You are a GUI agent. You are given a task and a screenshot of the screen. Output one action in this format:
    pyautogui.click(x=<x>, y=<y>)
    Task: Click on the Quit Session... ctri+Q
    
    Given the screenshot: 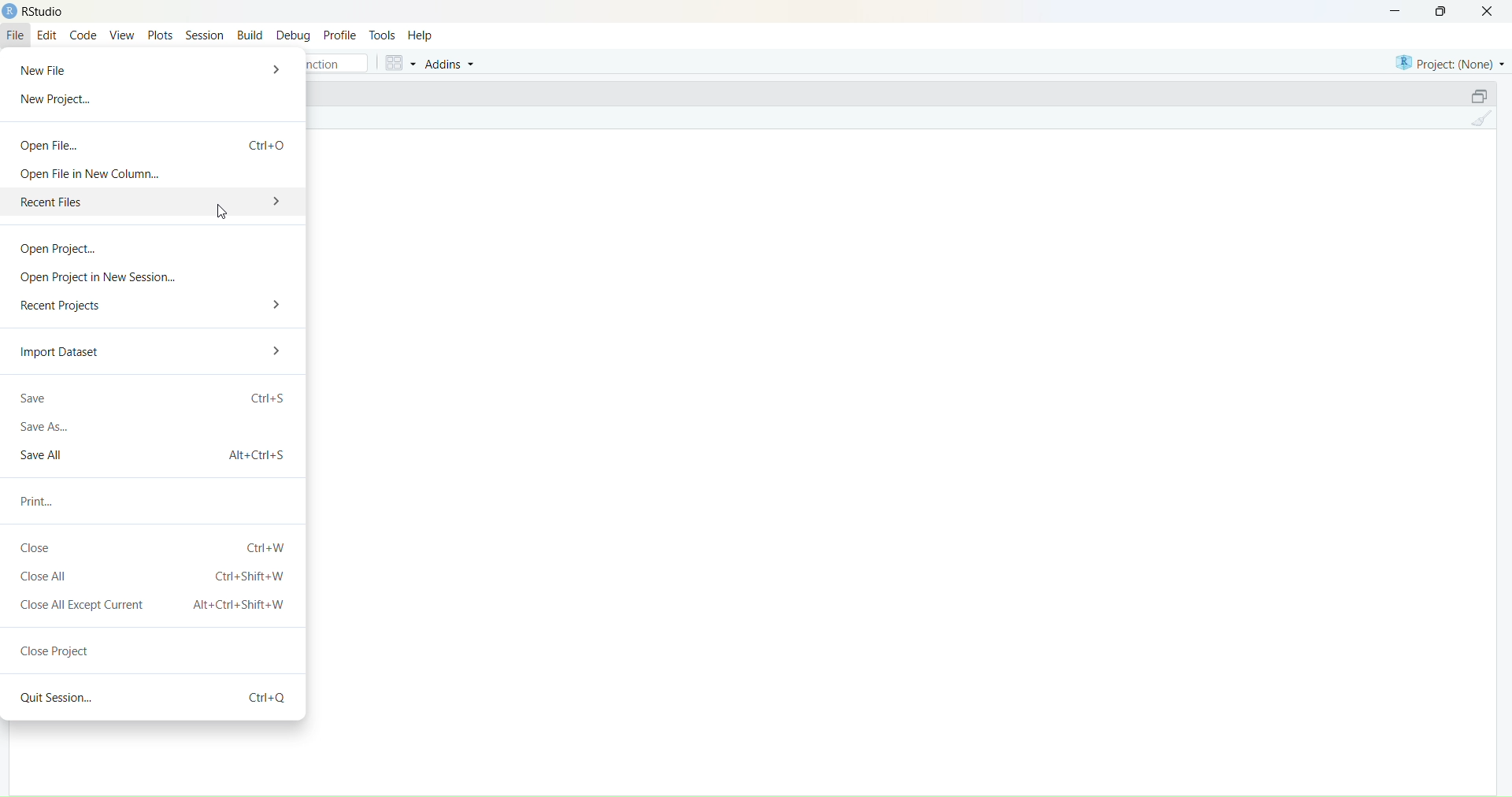 What is the action you would take?
    pyautogui.click(x=150, y=698)
    